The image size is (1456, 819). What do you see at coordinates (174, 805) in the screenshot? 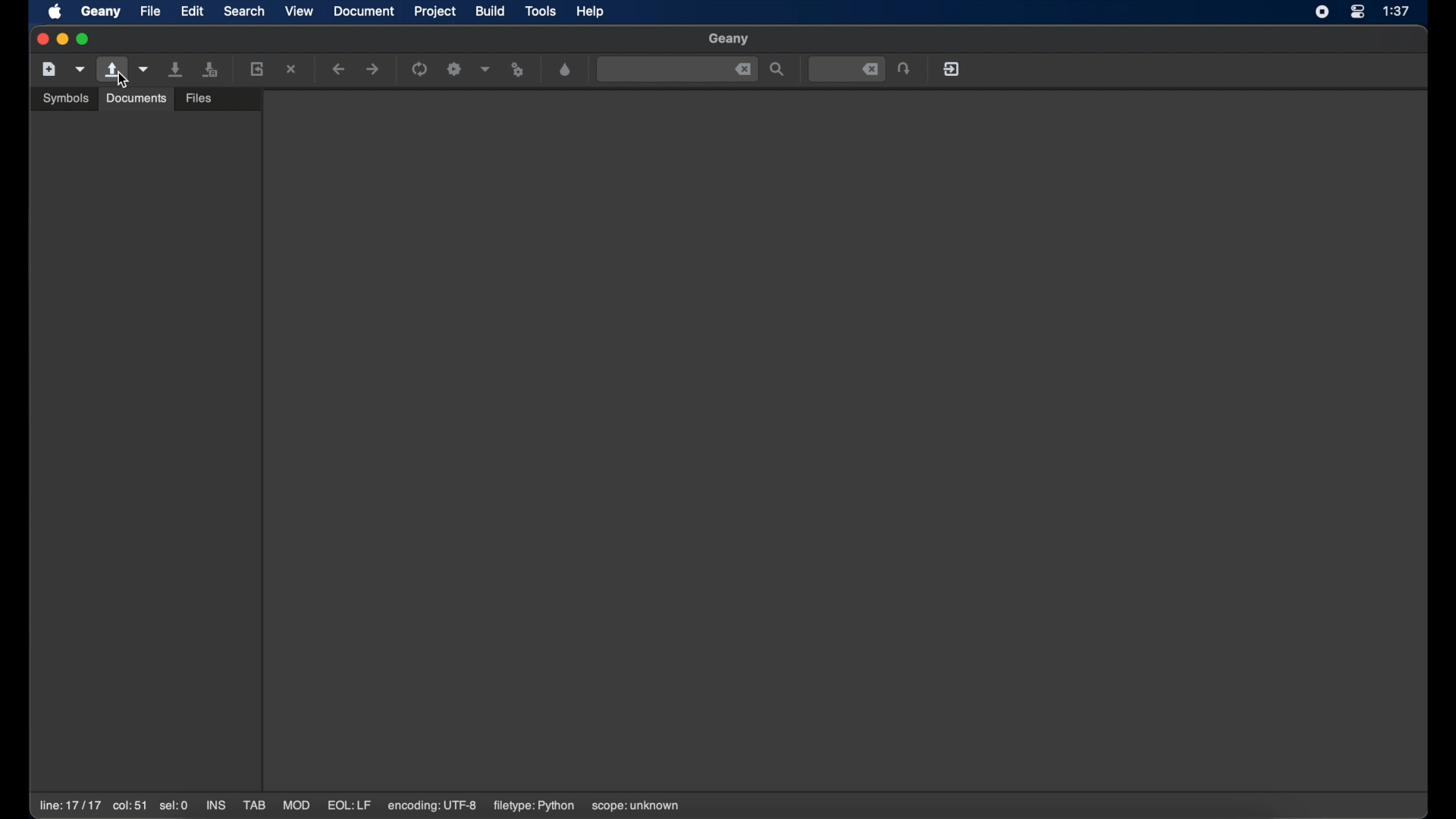
I see `sel:0` at bounding box center [174, 805].